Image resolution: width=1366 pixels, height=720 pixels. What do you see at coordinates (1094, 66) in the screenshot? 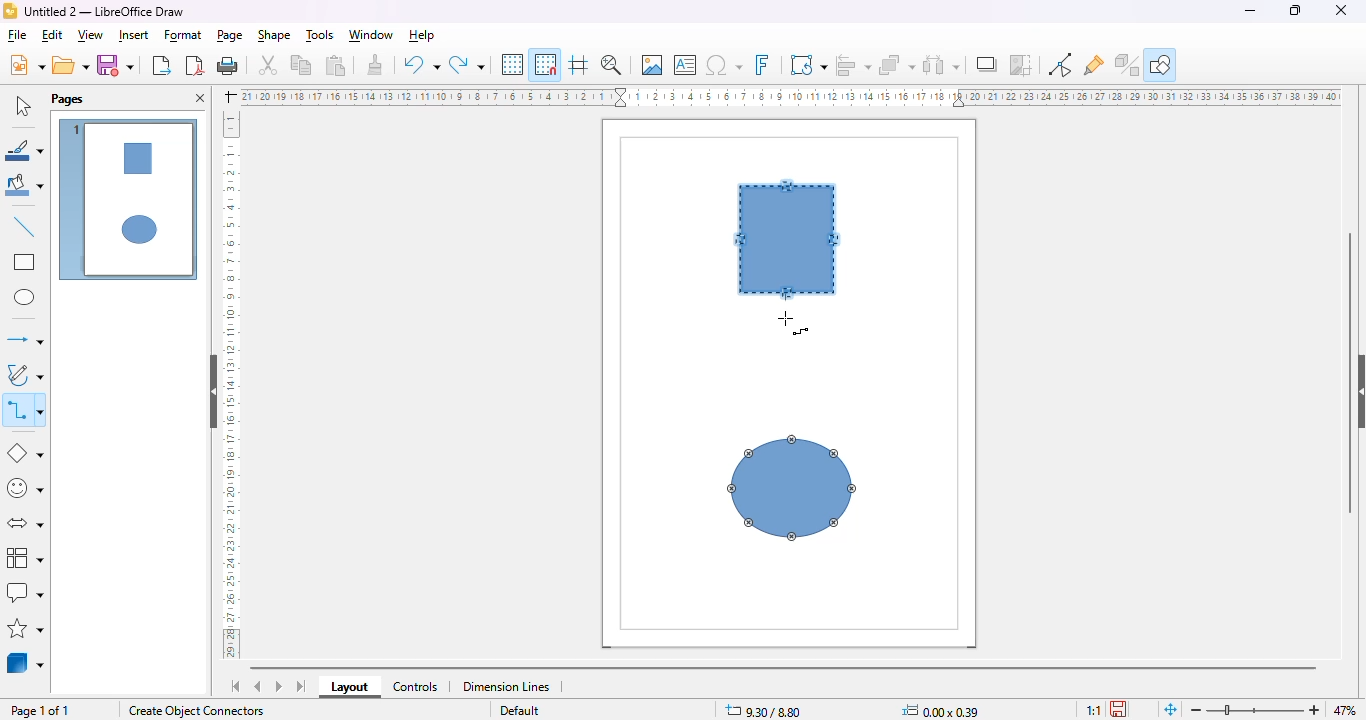
I see `show gluepoint functions` at bounding box center [1094, 66].